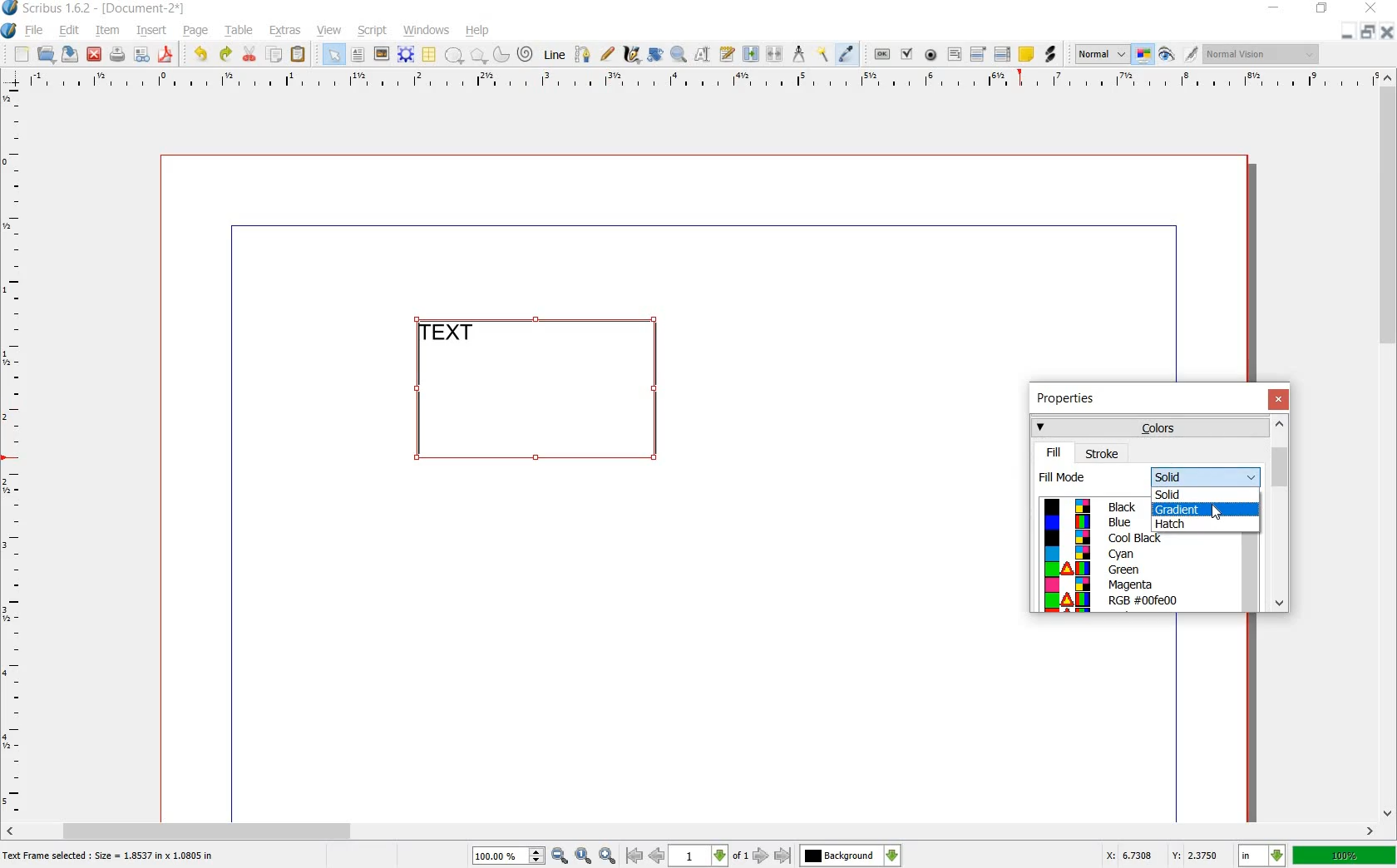  I want to click on zoom out, so click(560, 856).